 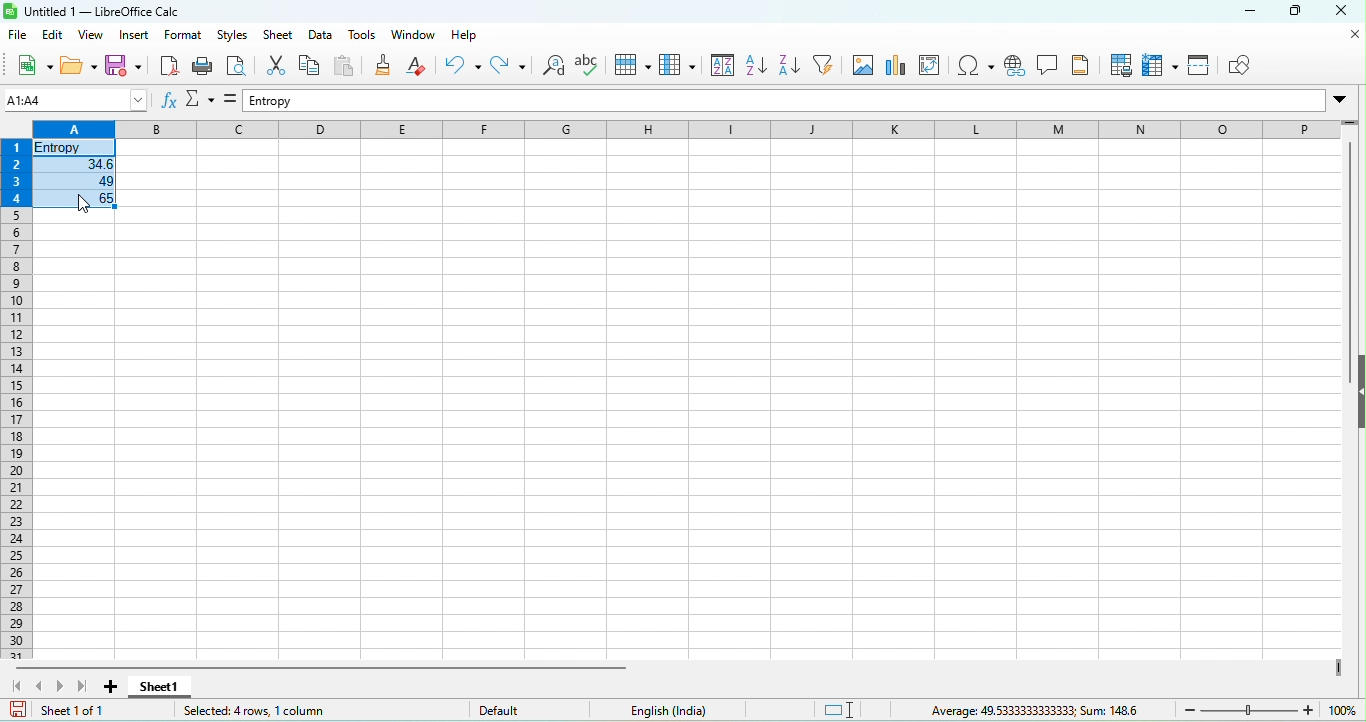 I want to click on sort, so click(x=718, y=65).